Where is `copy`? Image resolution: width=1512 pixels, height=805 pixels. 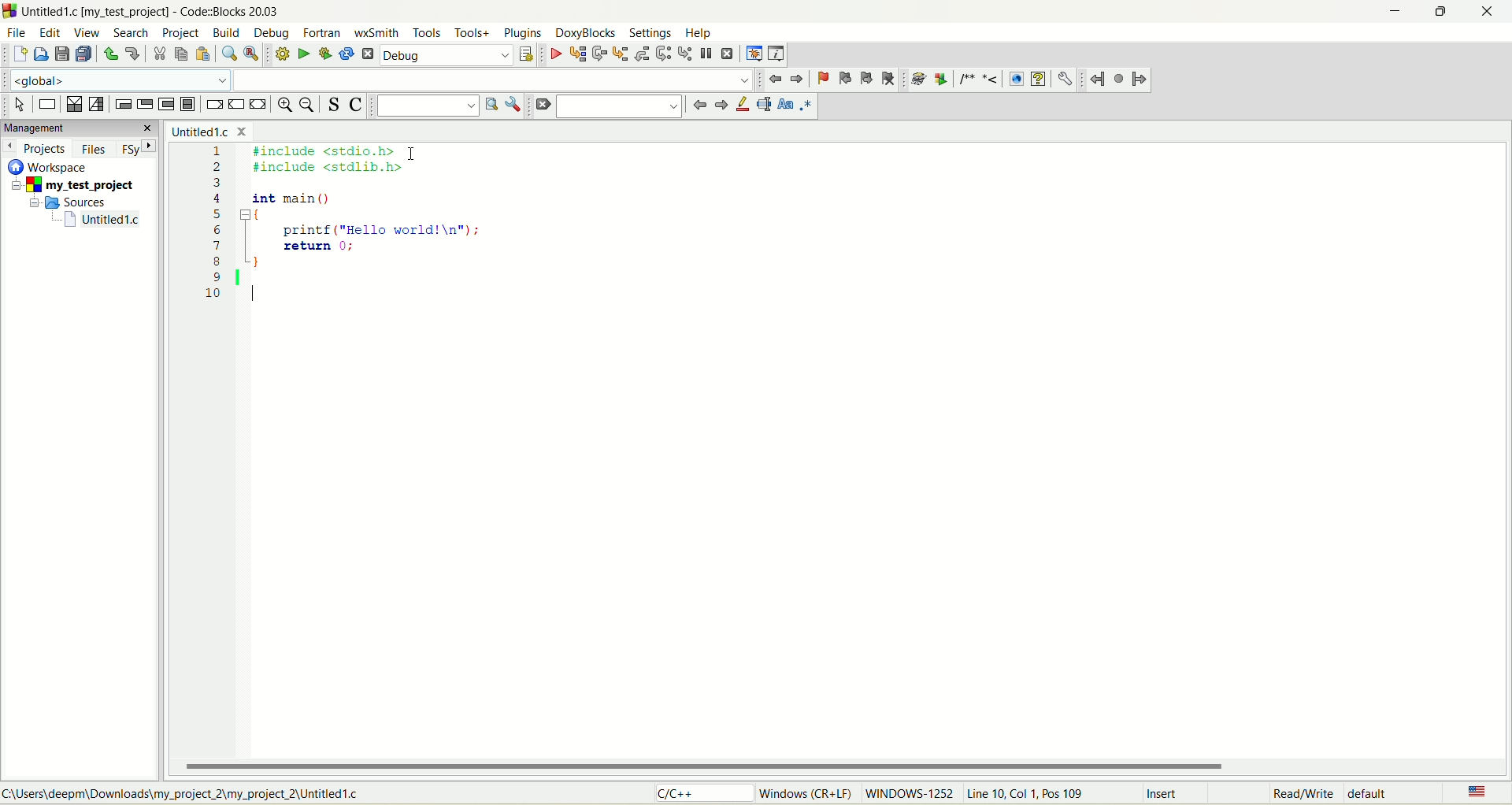 copy is located at coordinates (182, 54).